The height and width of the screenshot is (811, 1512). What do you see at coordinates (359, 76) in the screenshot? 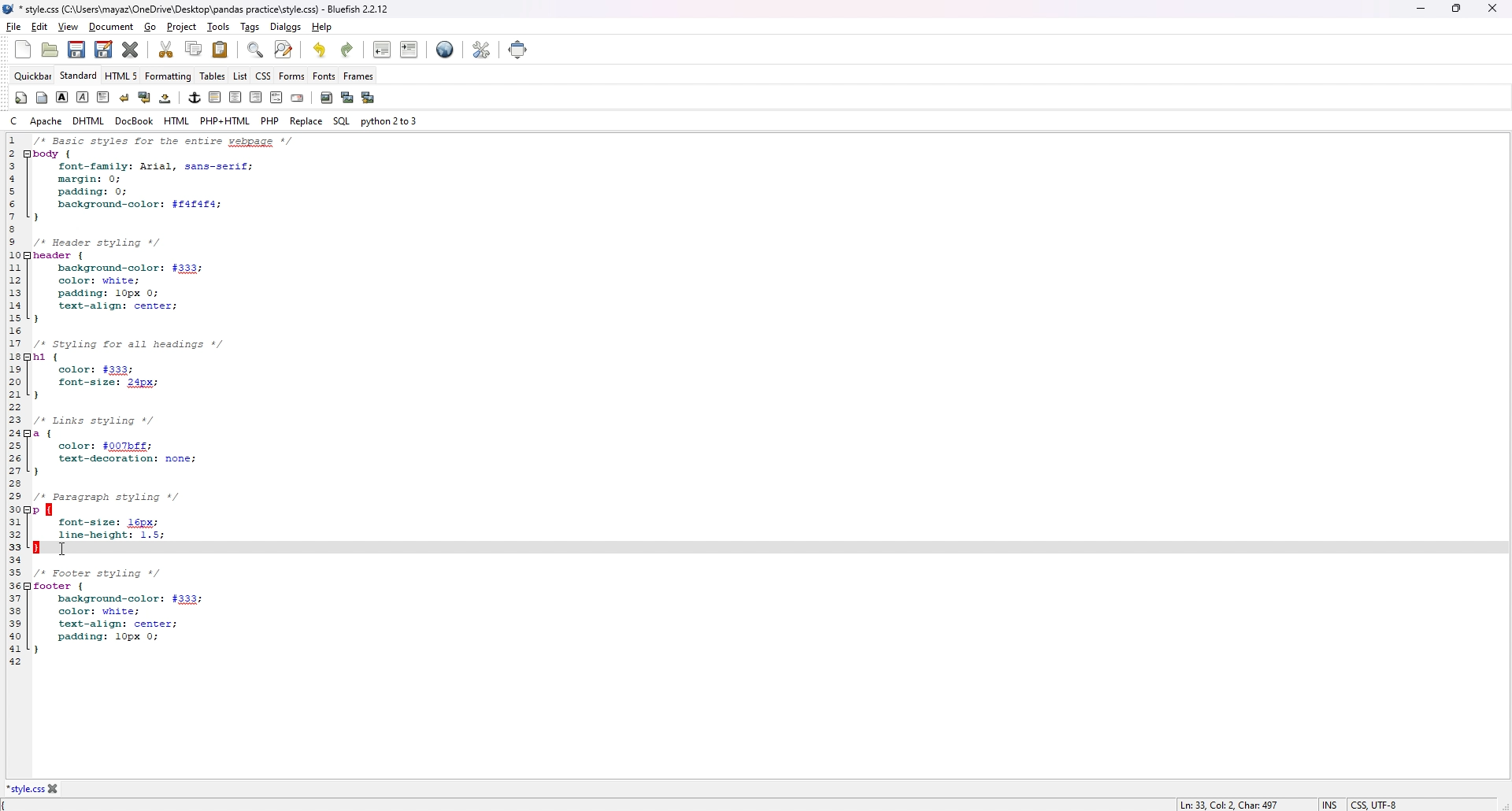
I see `frames` at bounding box center [359, 76].